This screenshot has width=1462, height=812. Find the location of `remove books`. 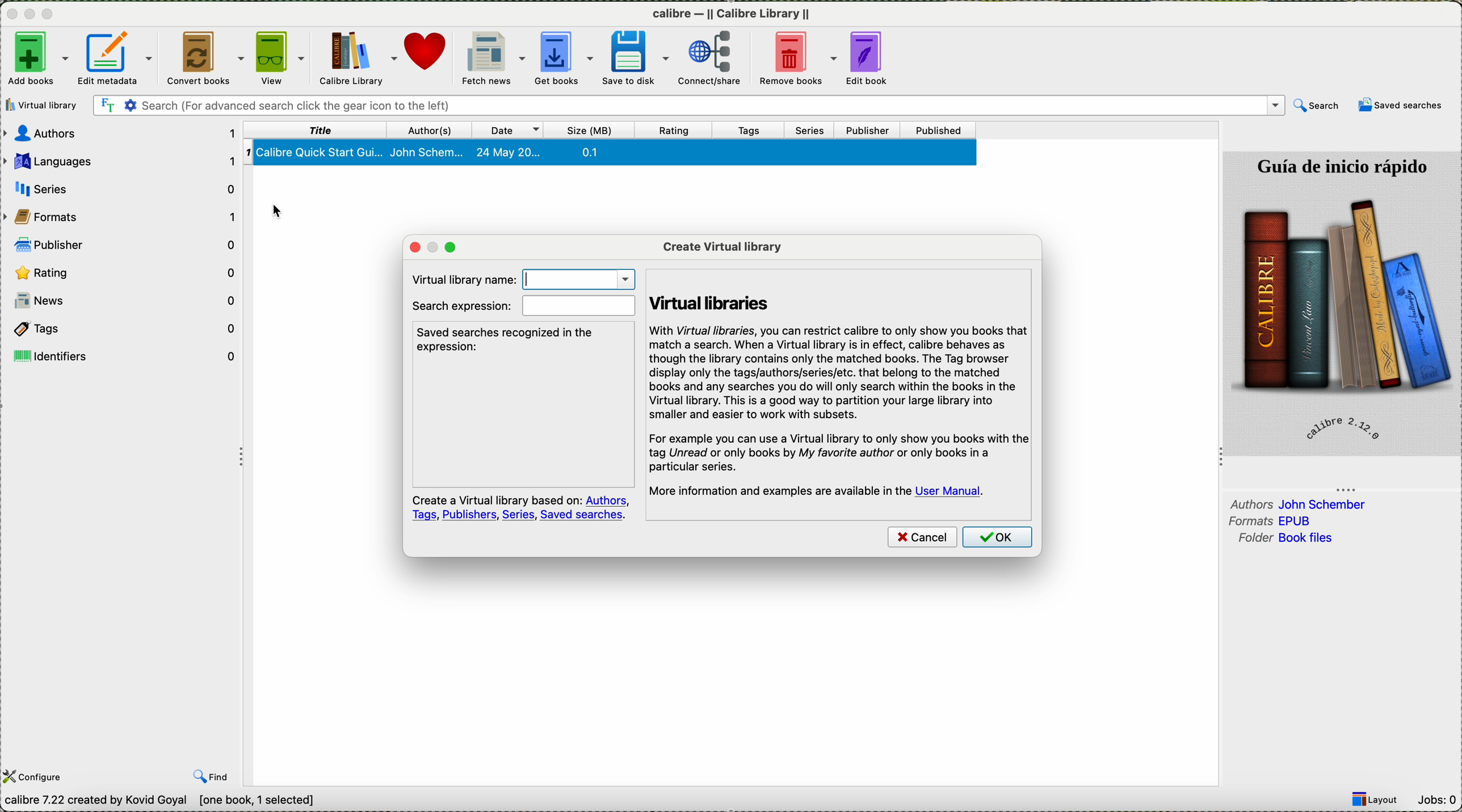

remove books is located at coordinates (799, 59).